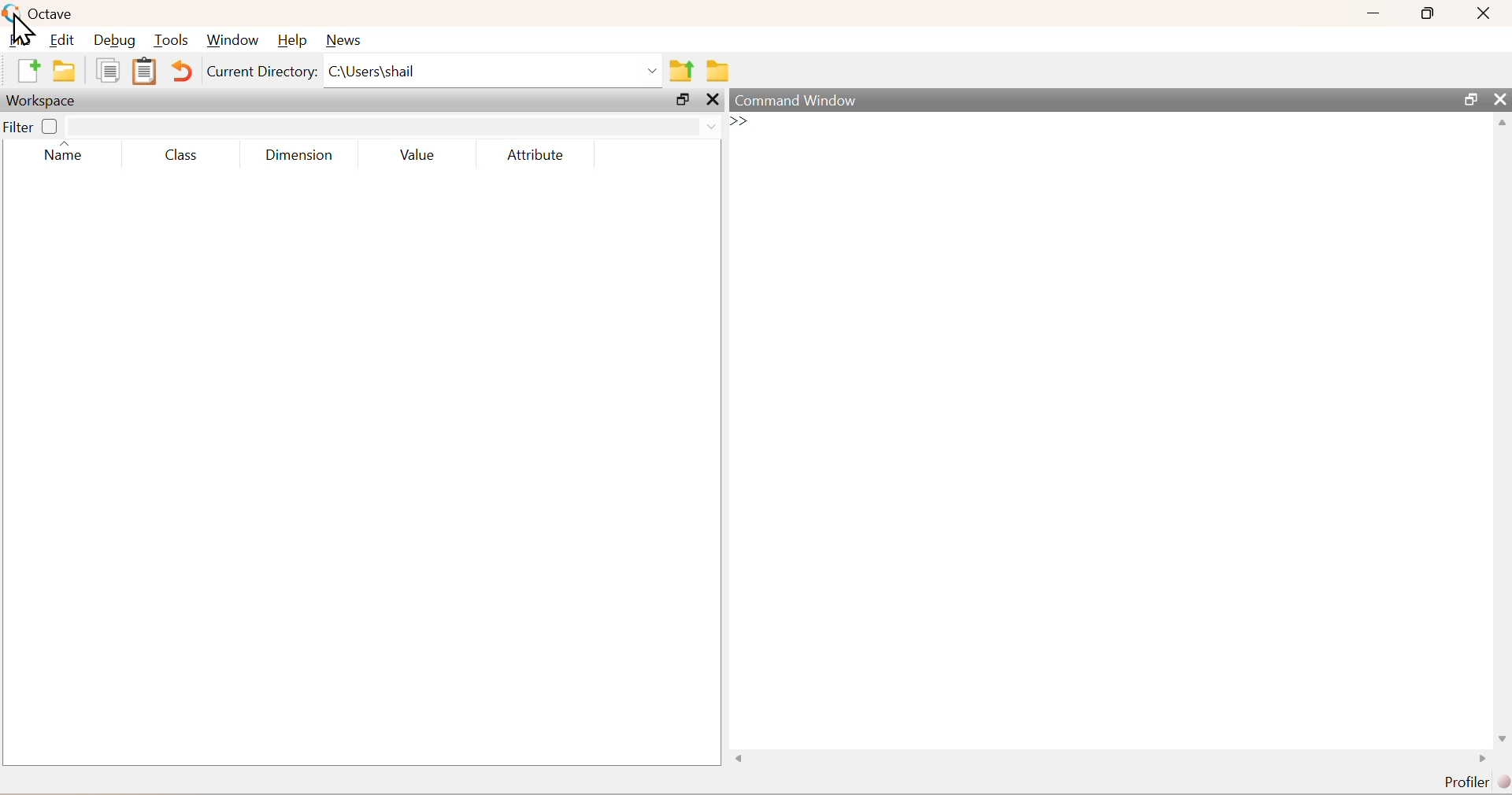  I want to click on scroll left, so click(1479, 759).